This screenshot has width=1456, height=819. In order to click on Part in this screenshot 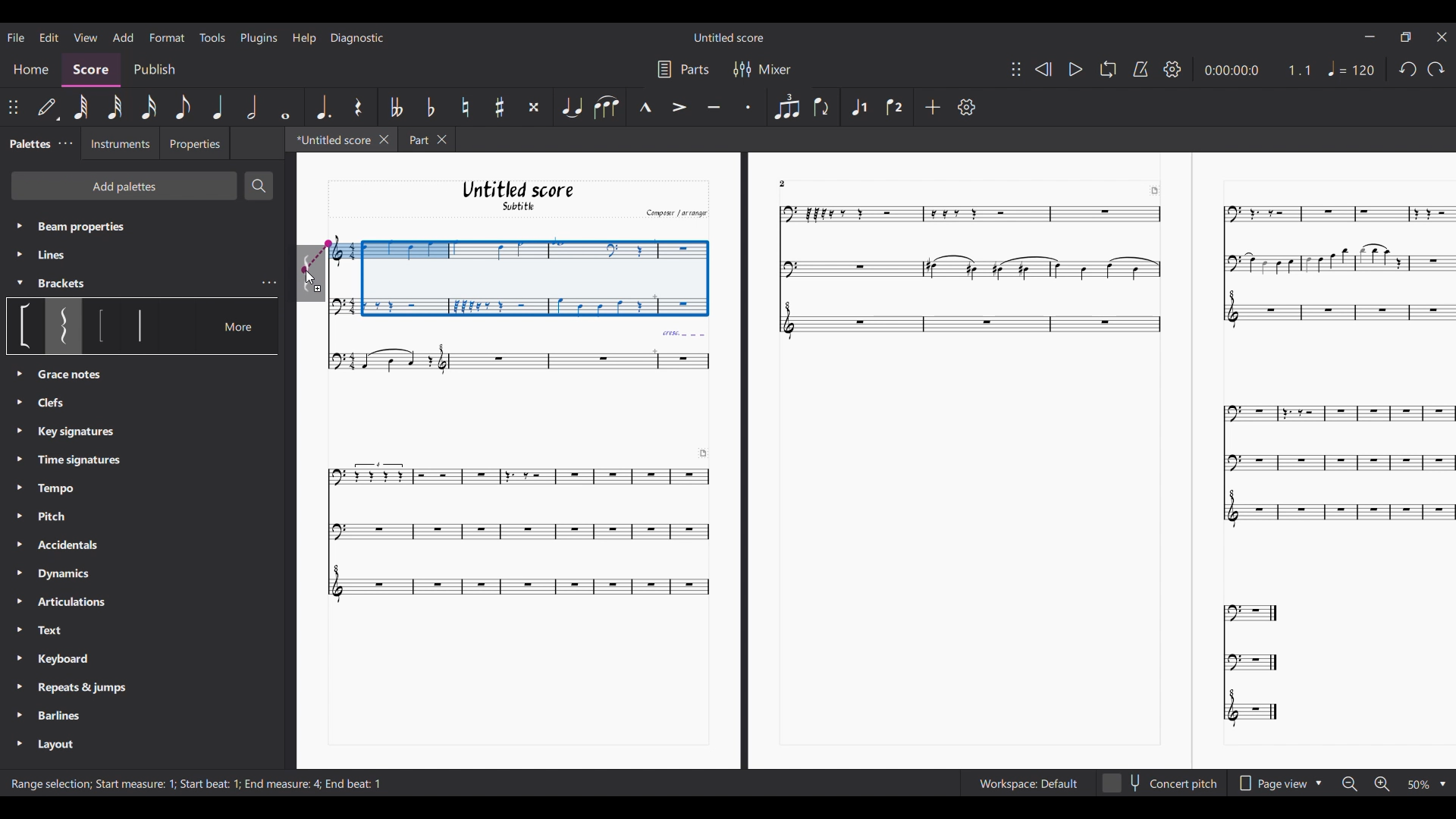, I will do `click(416, 139)`.